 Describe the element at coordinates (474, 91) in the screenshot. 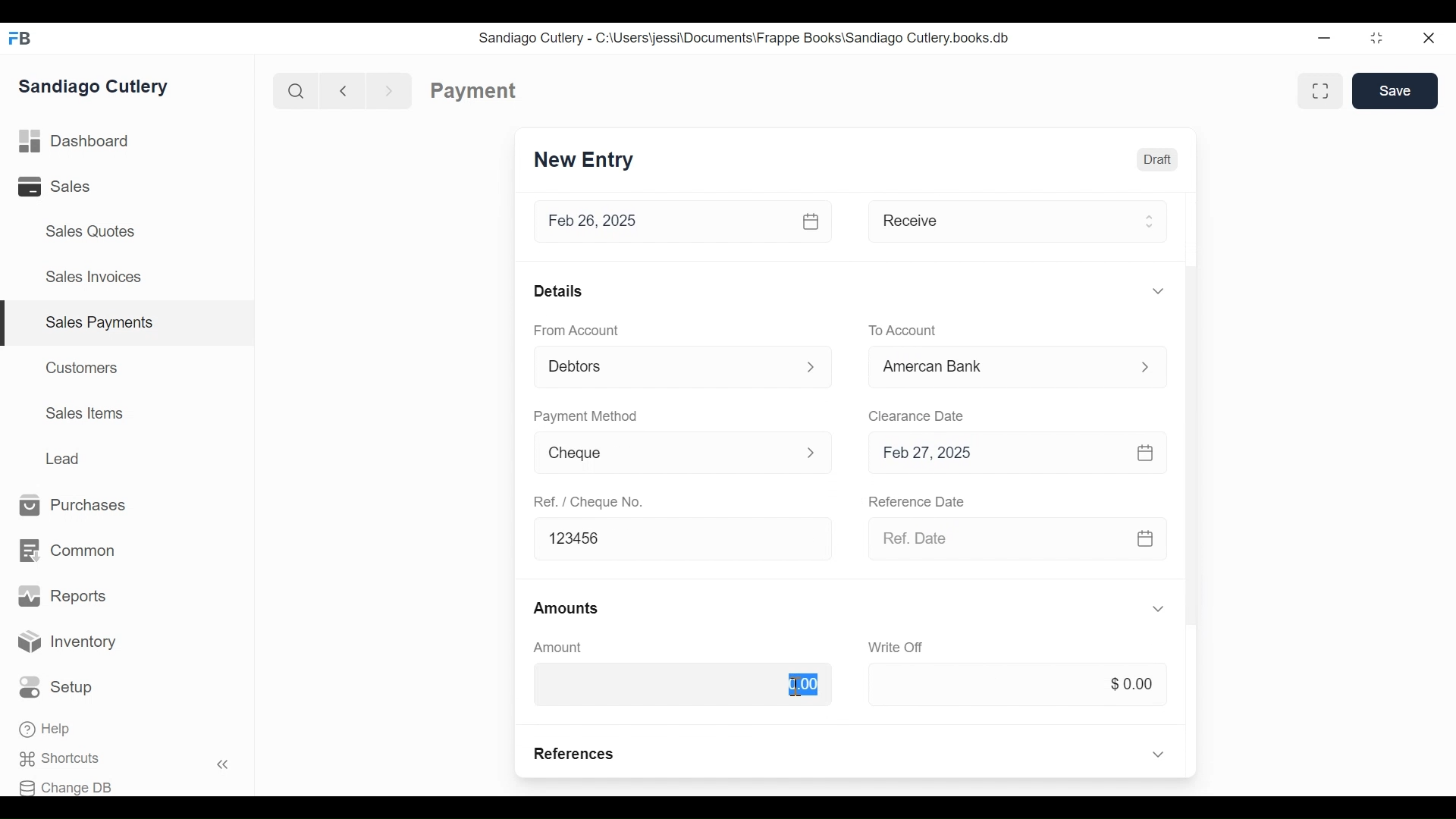

I see `Payment` at that location.